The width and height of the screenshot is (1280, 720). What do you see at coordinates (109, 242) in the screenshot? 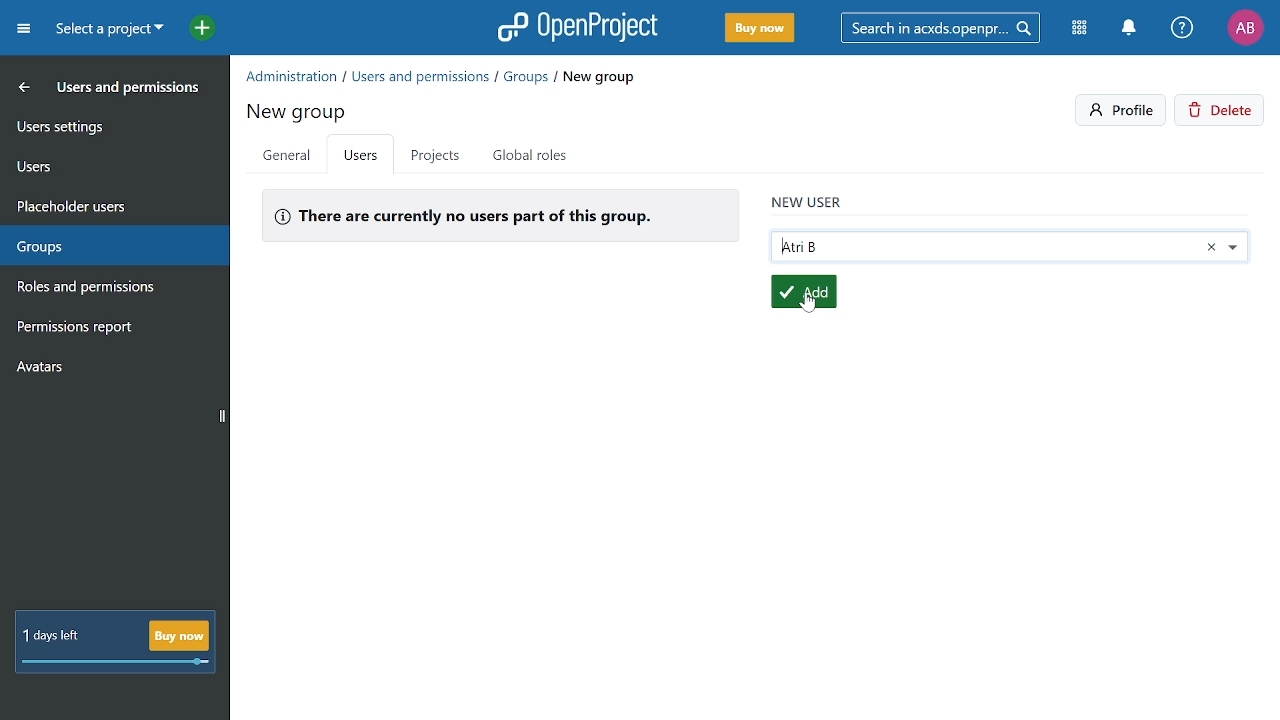
I see `Groups` at bounding box center [109, 242].